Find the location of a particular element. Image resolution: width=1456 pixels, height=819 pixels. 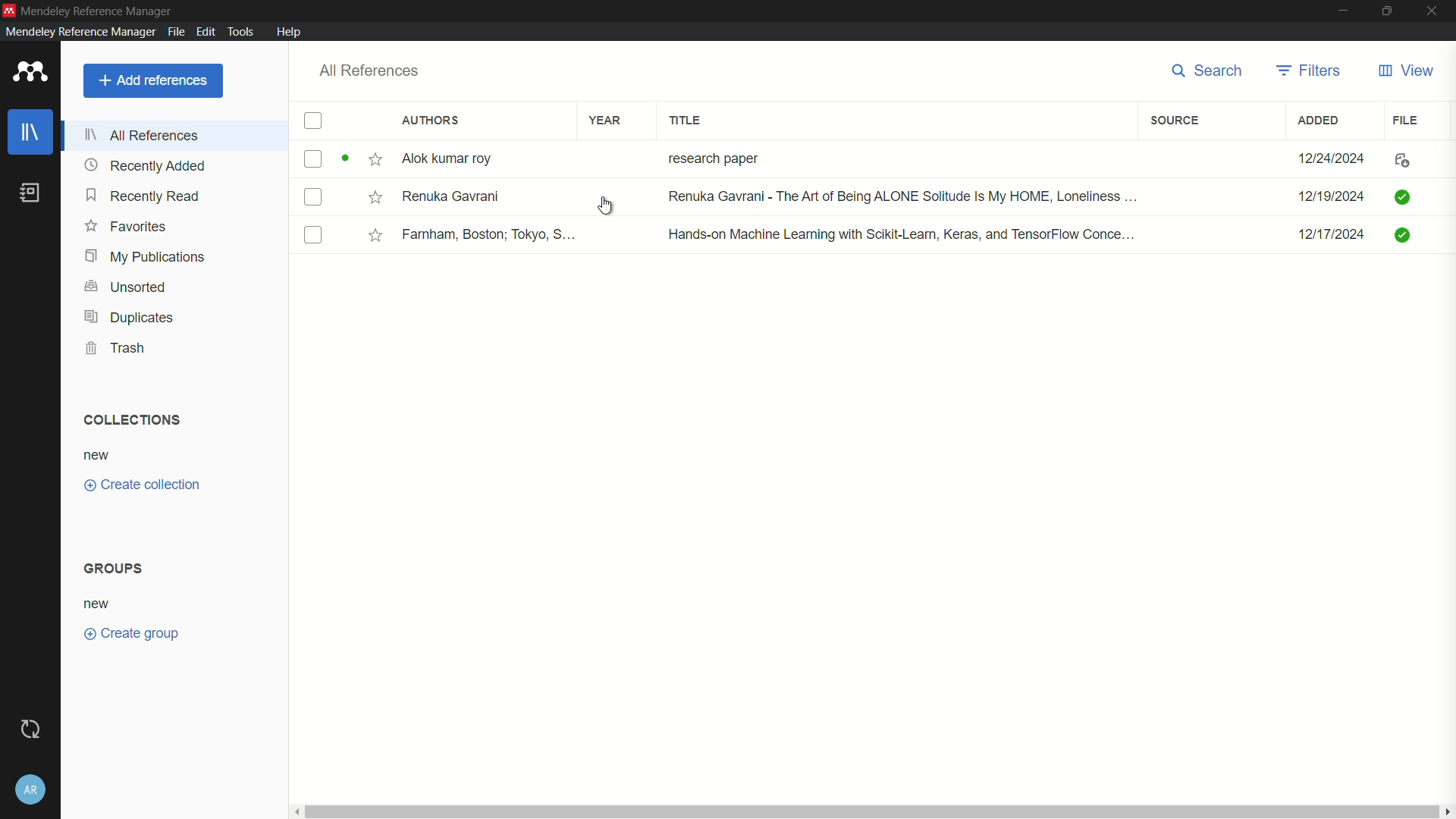

groups is located at coordinates (114, 568).